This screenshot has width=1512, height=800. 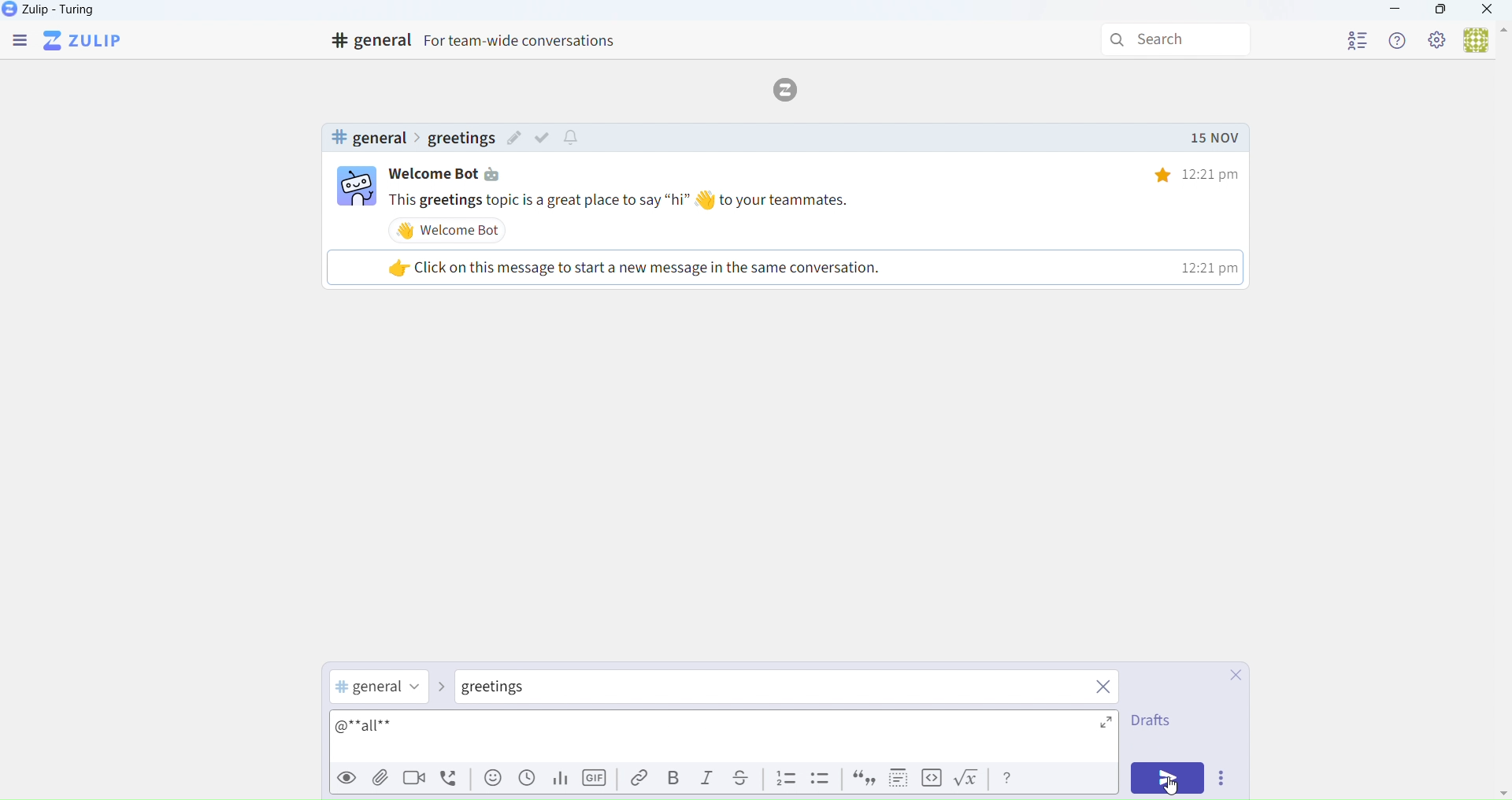 I want to click on Options, so click(x=1225, y=780).